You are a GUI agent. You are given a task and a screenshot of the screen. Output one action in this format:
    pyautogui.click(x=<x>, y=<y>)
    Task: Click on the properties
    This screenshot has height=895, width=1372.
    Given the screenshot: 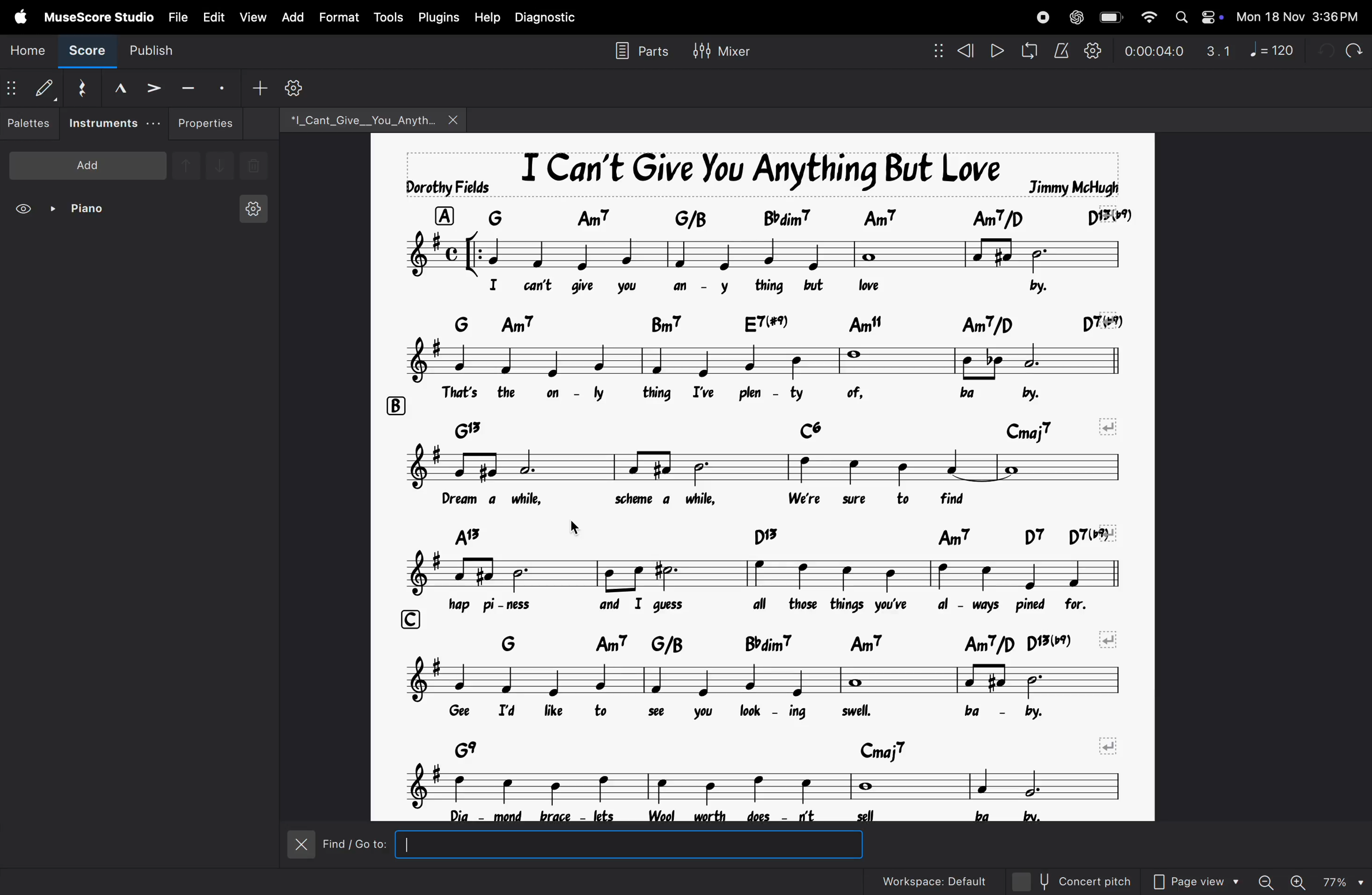 What is the action you would take?
    pyautogui.click(x=208, y=123)
    